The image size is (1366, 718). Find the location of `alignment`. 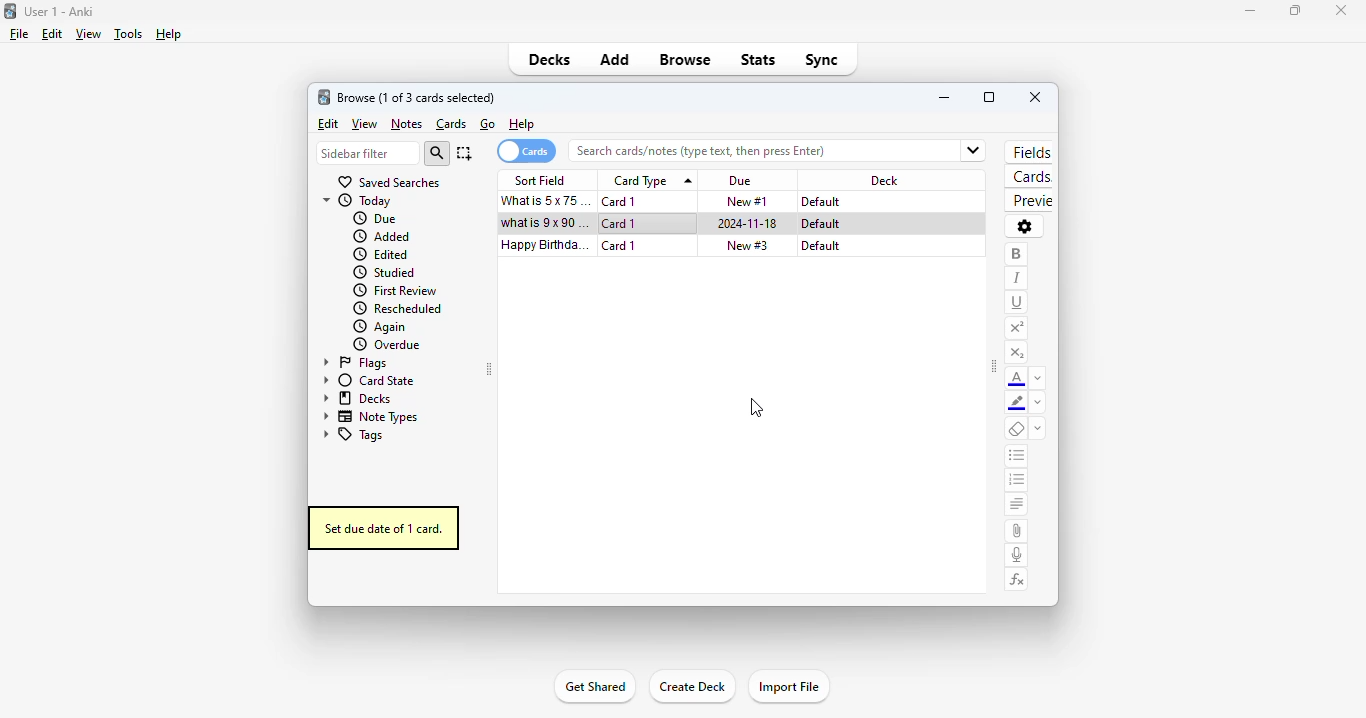

alignment is located at coordinates (1016, 504).